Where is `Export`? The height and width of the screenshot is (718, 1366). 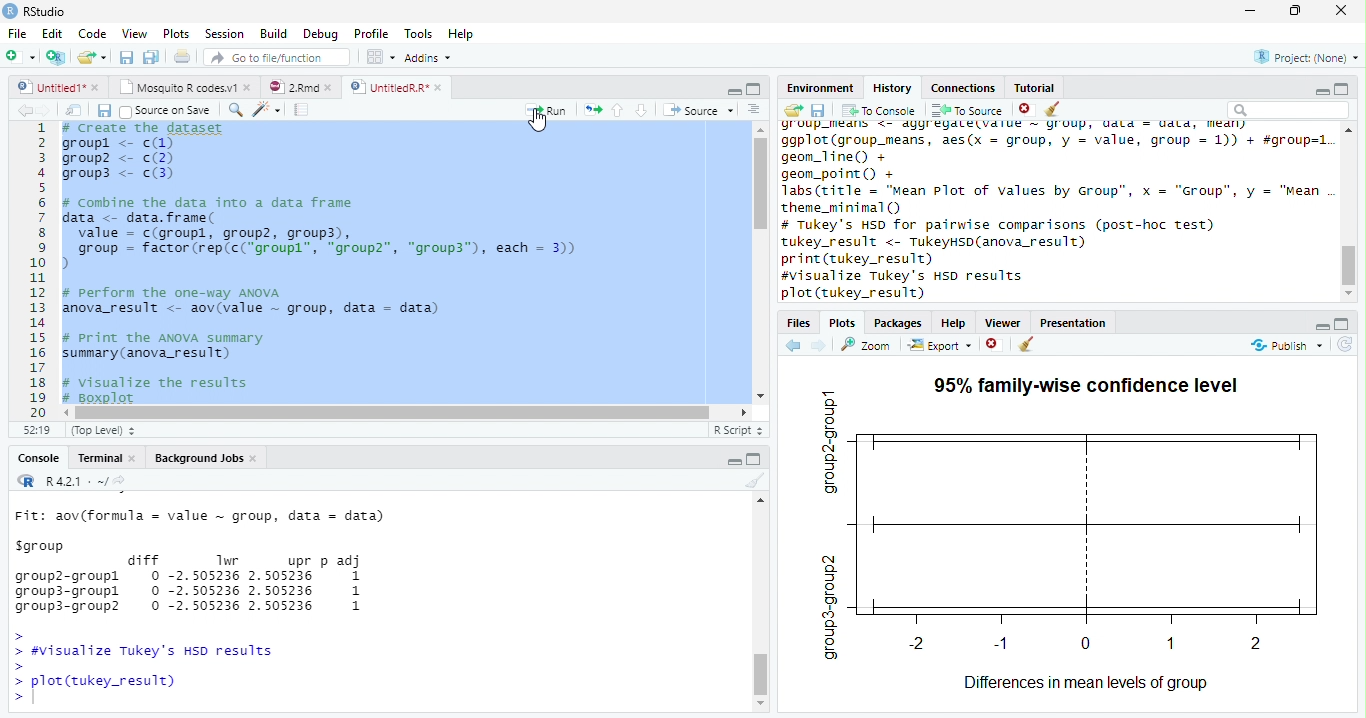
Export is located at coordinates (941, 345).